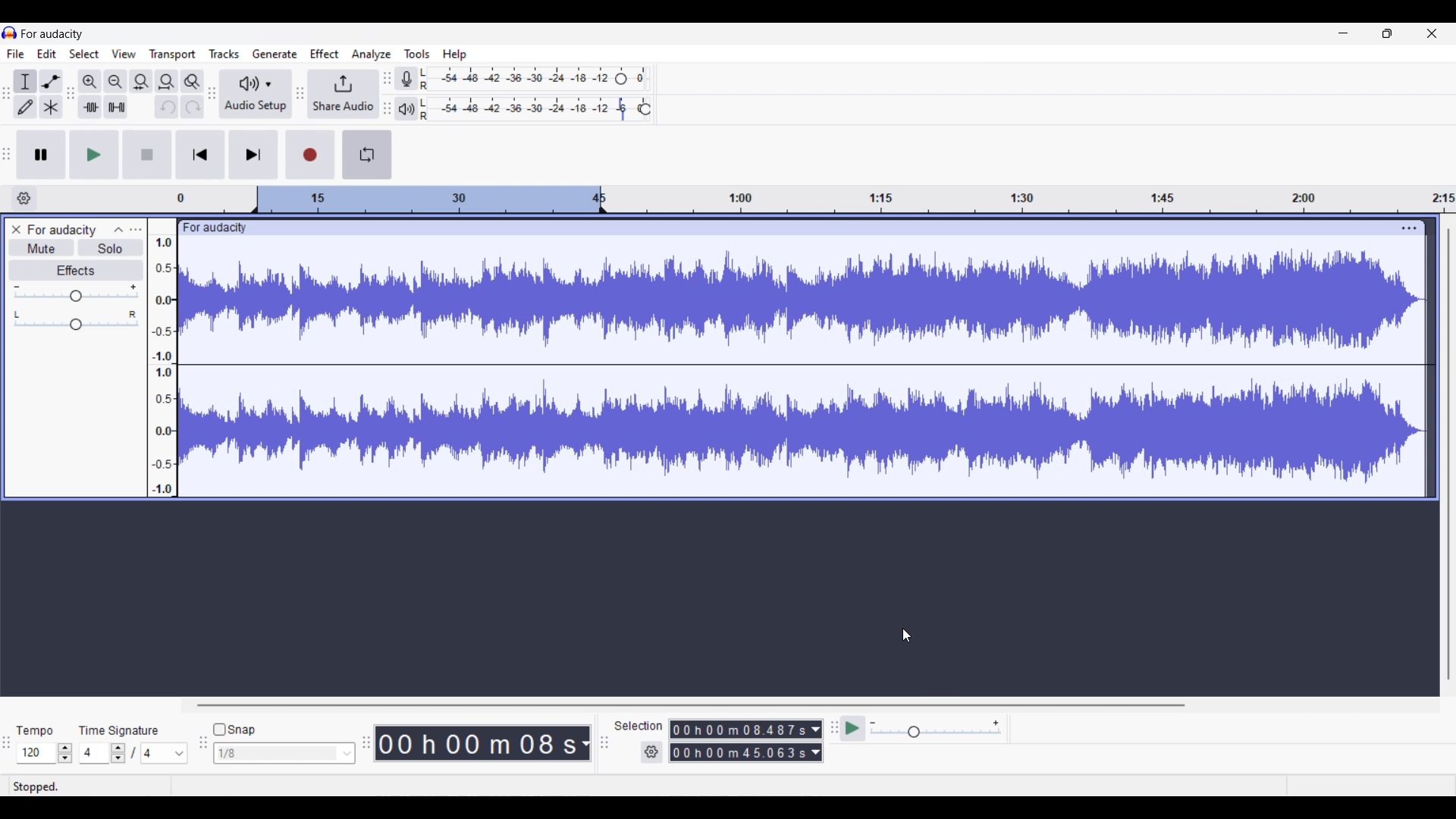 This screenshot has width=1456, height=819. What do you see at coordinates (234, 730) in the screenshot?
I see `Toggle for snap` at bounding box center [234, 730].